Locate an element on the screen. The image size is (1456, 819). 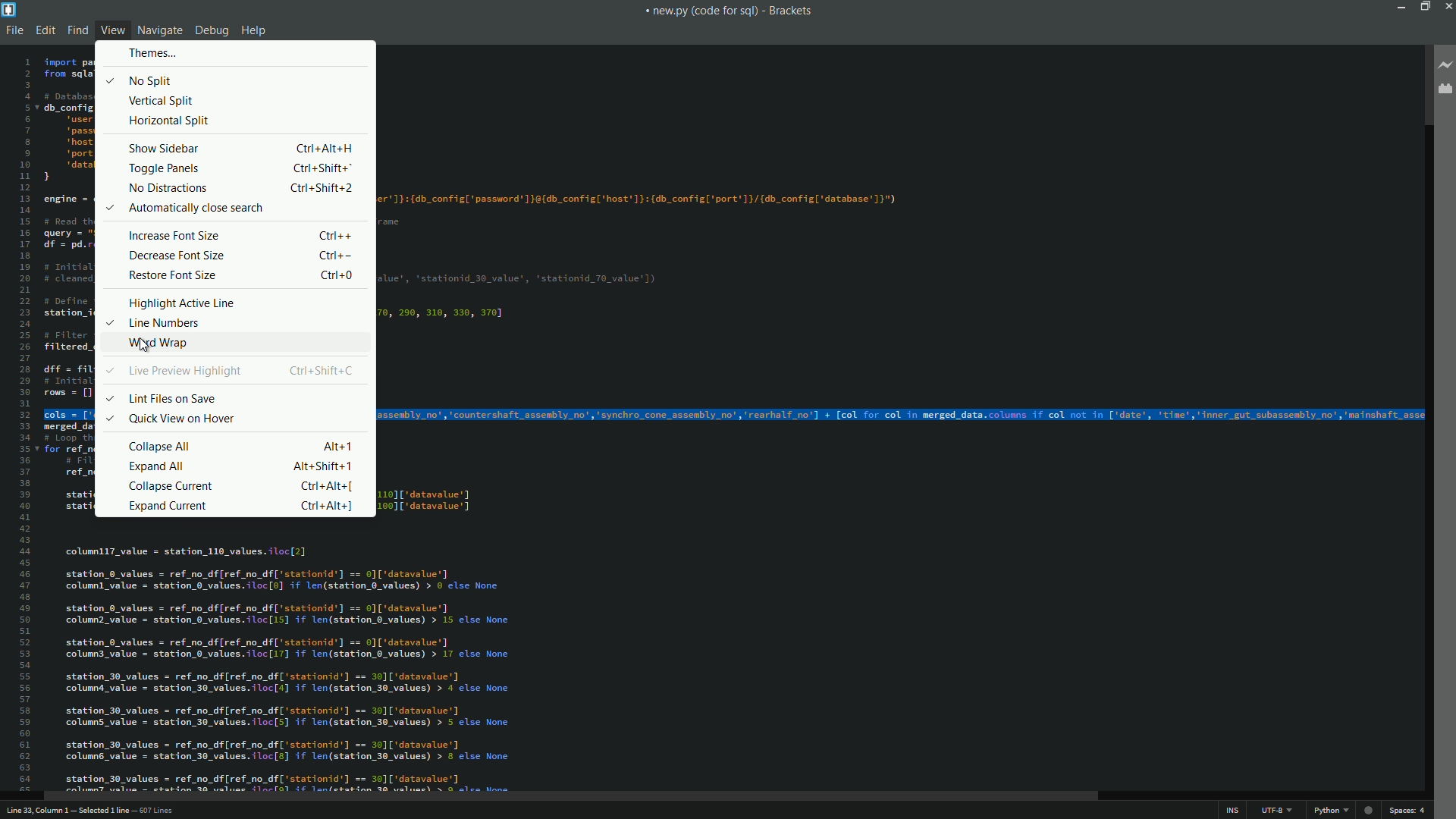
close app is located at coordinates (1447, 6).